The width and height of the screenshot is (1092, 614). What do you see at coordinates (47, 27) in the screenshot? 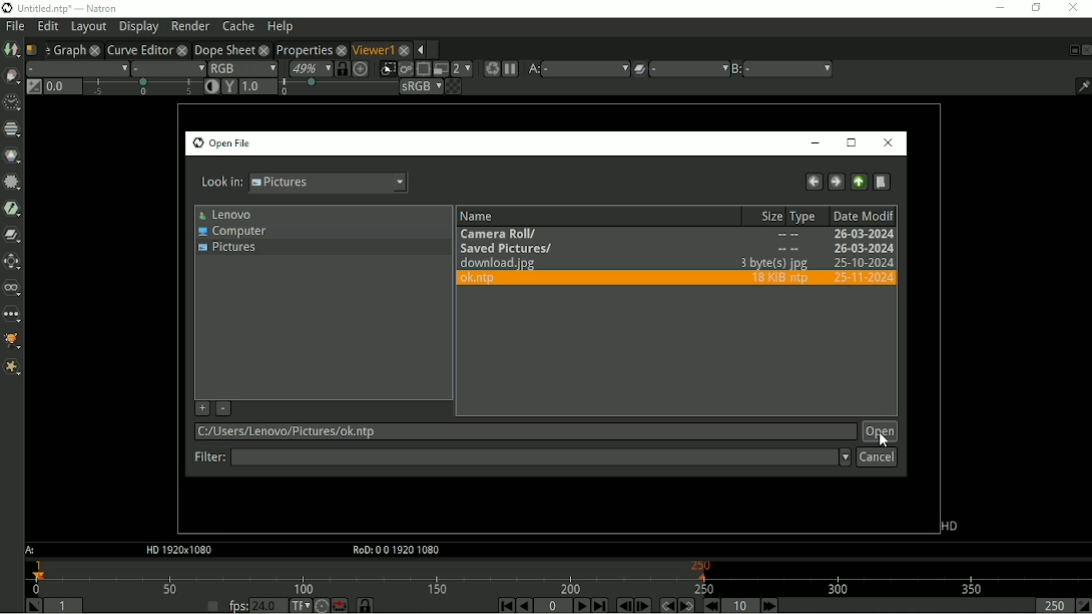
I see `Edit` at bounding box center [47, 27].